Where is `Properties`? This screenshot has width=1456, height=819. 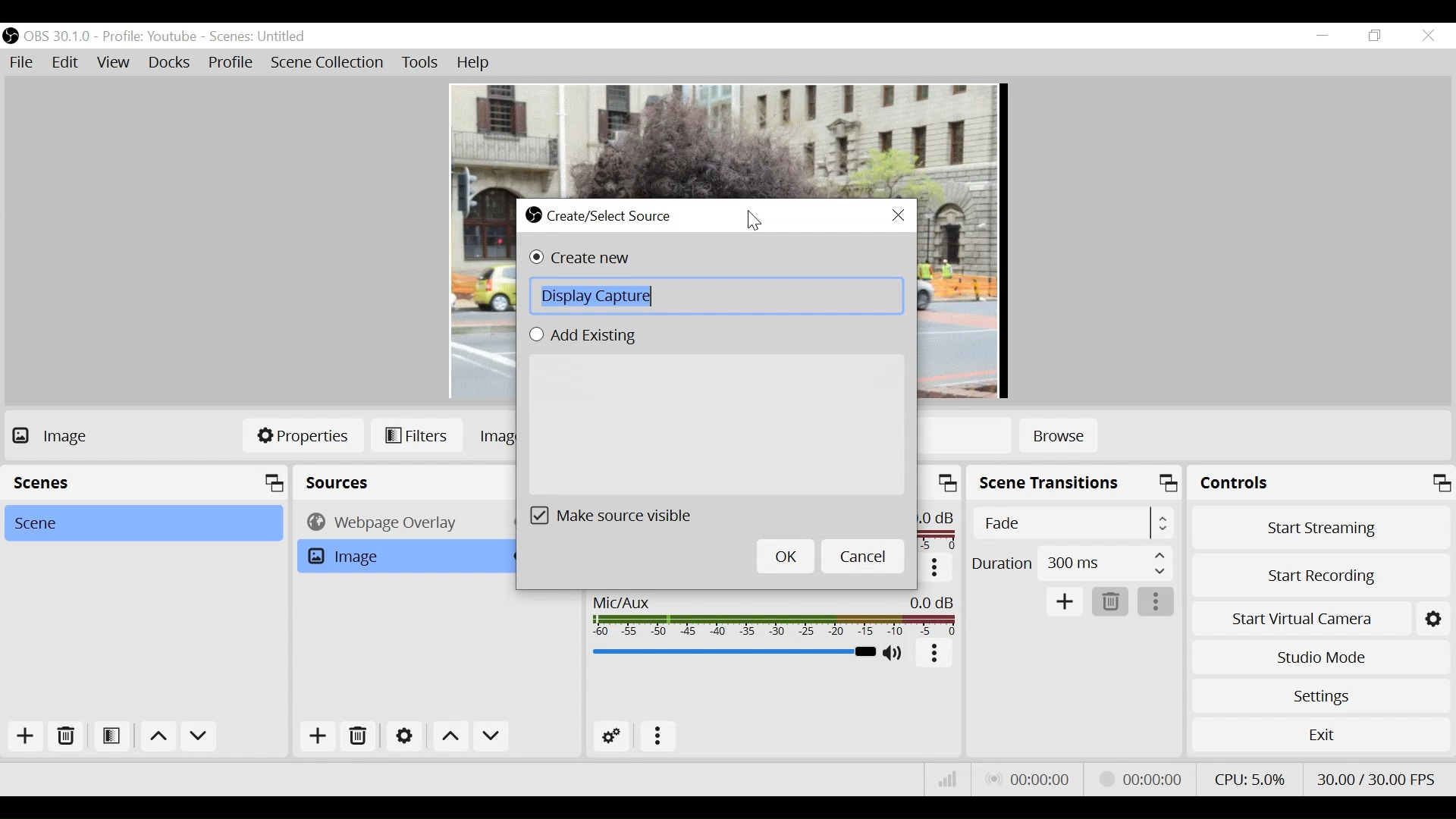
Properties is located at coordinates (303, 435).